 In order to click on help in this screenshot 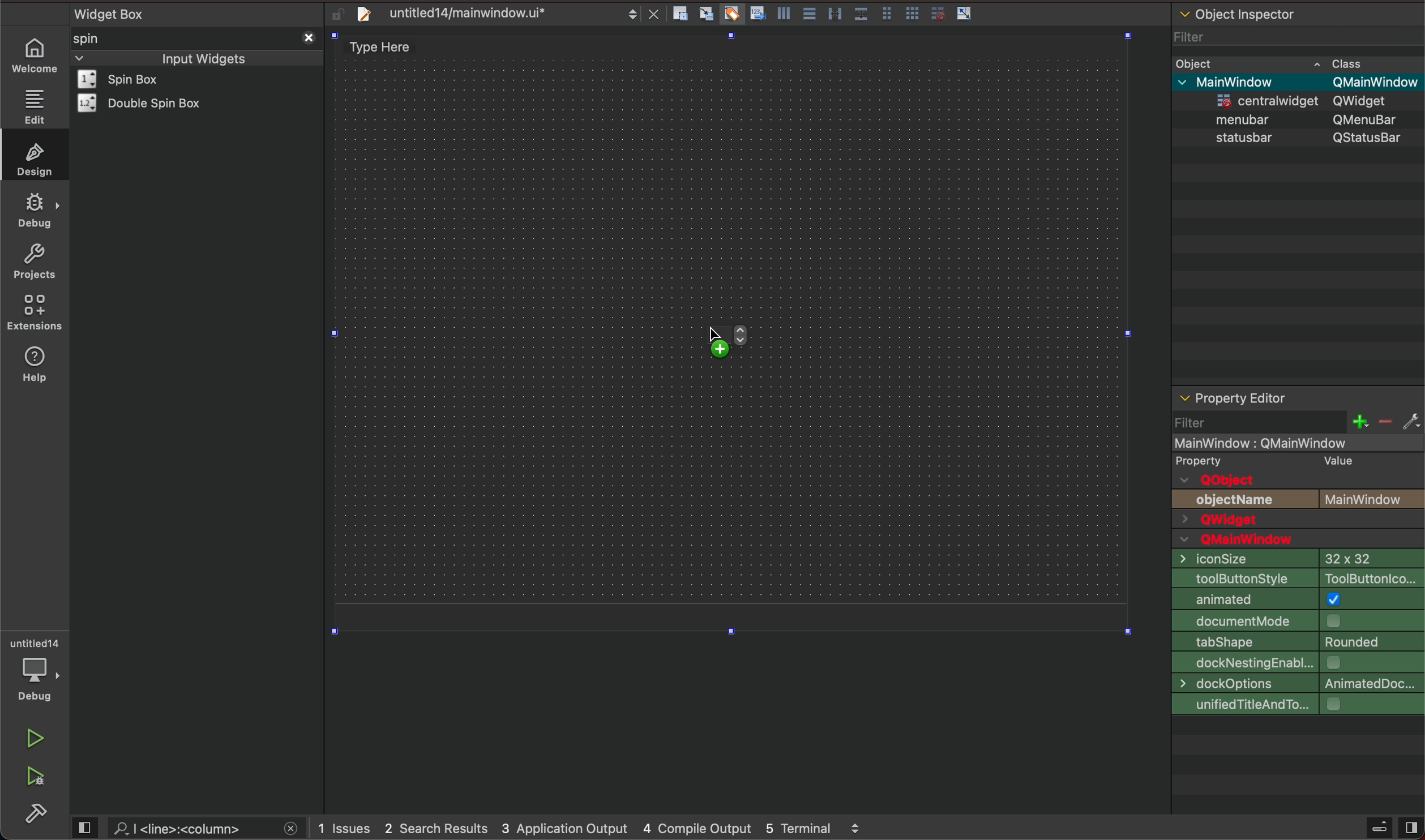, I will do `click(40, 371)`.